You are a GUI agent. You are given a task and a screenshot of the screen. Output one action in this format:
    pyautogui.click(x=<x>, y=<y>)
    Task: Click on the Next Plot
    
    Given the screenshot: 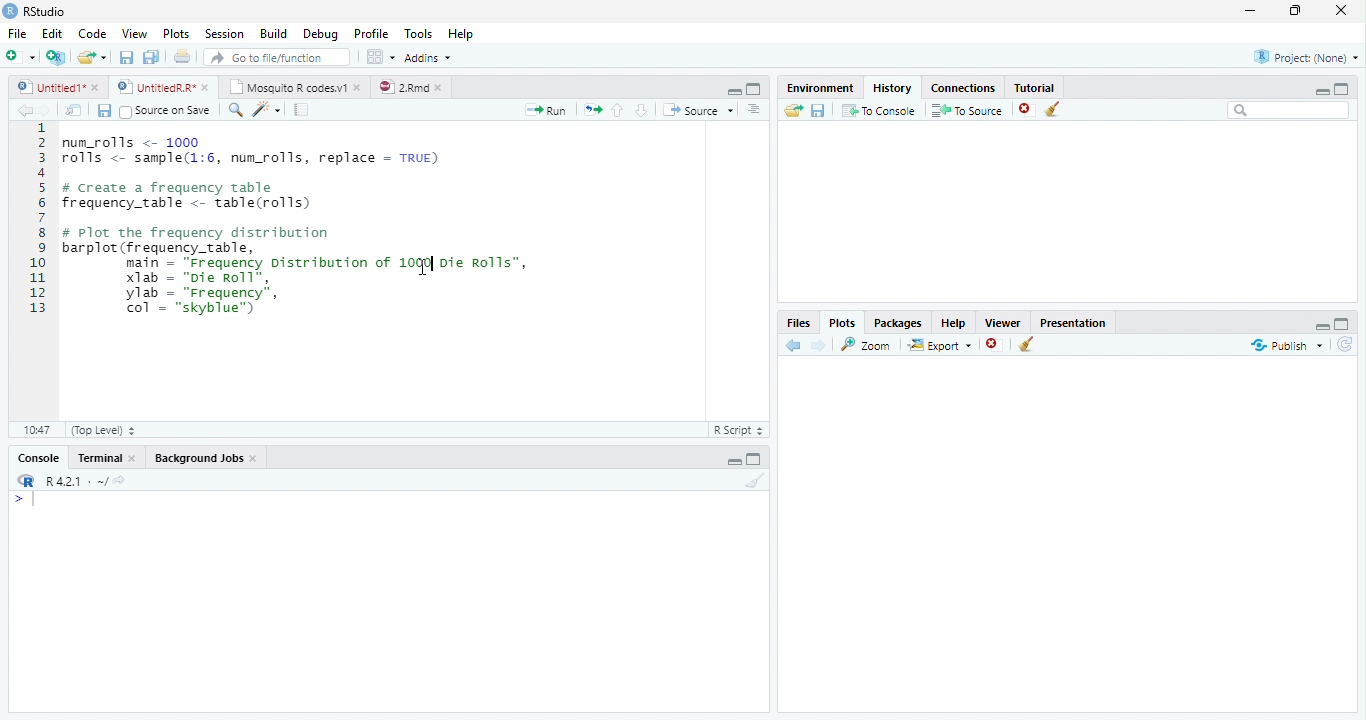 What is the action you would take?
    pyautogui.click(x=820, y=345)
    